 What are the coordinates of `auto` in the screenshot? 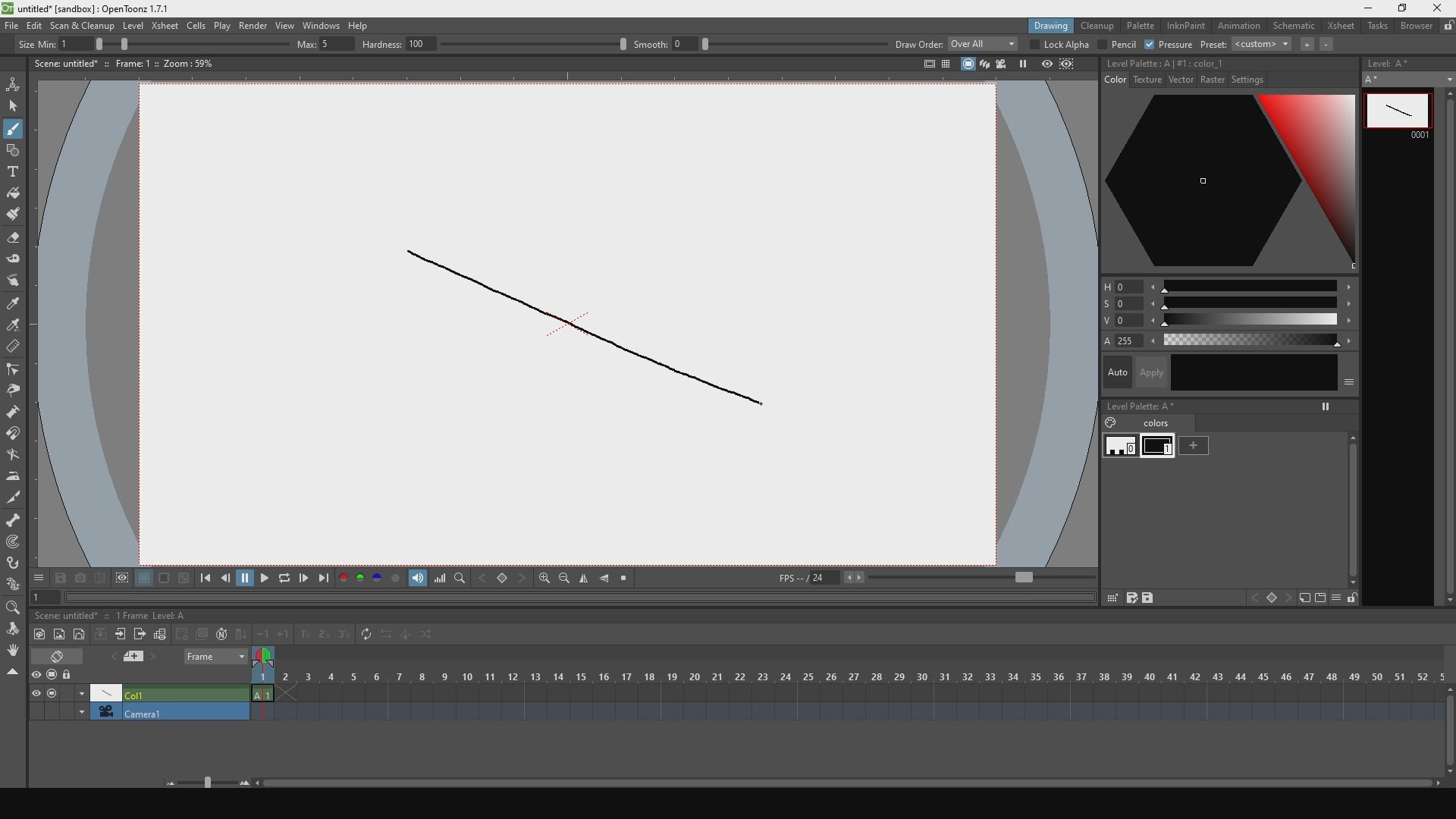 It's located at (1228, 375).